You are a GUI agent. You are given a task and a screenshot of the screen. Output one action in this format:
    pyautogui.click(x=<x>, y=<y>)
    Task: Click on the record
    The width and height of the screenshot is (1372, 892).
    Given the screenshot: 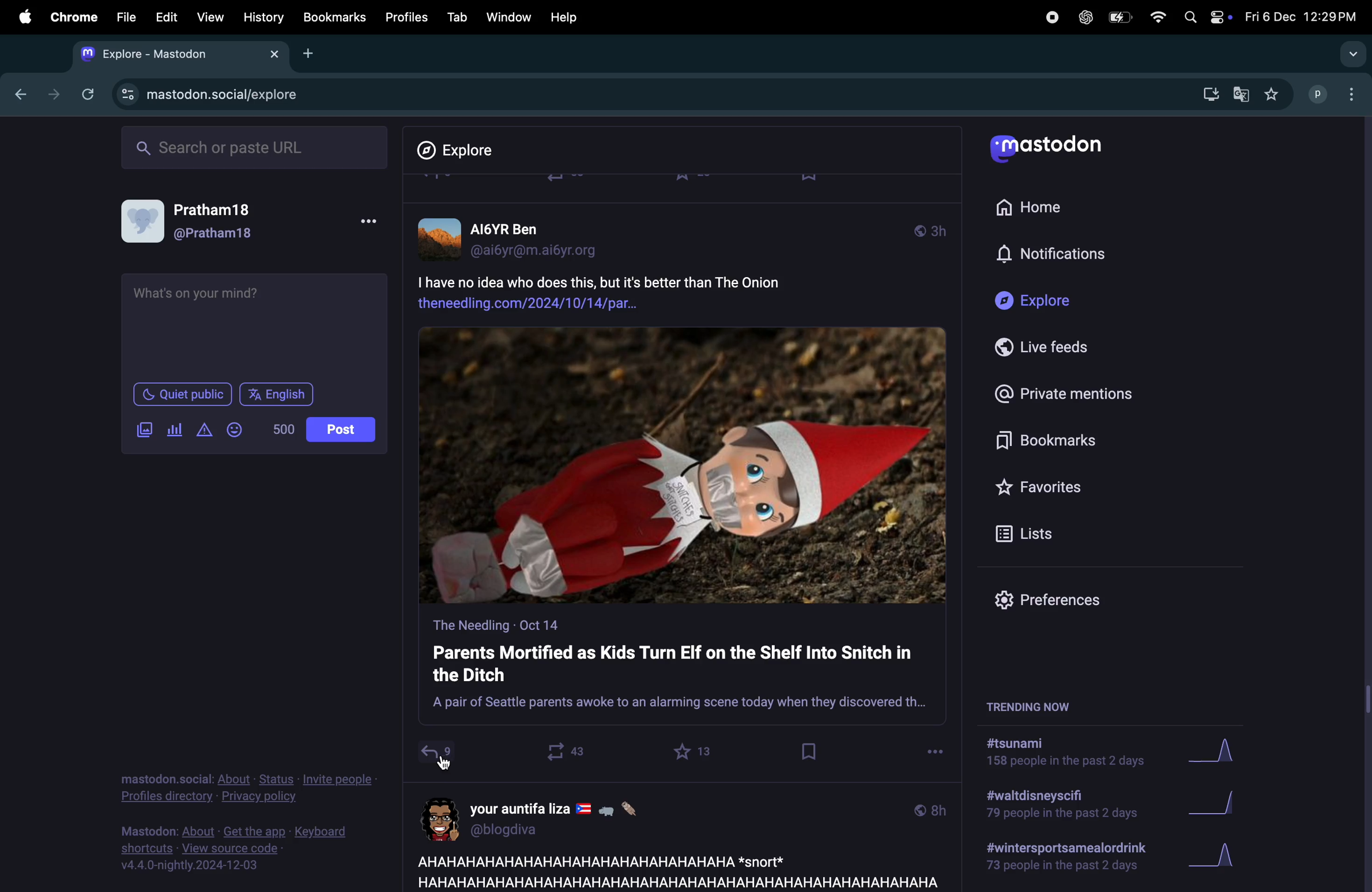 What is the action you would take?
    pyautogui.click(x=1051, y=16)
    